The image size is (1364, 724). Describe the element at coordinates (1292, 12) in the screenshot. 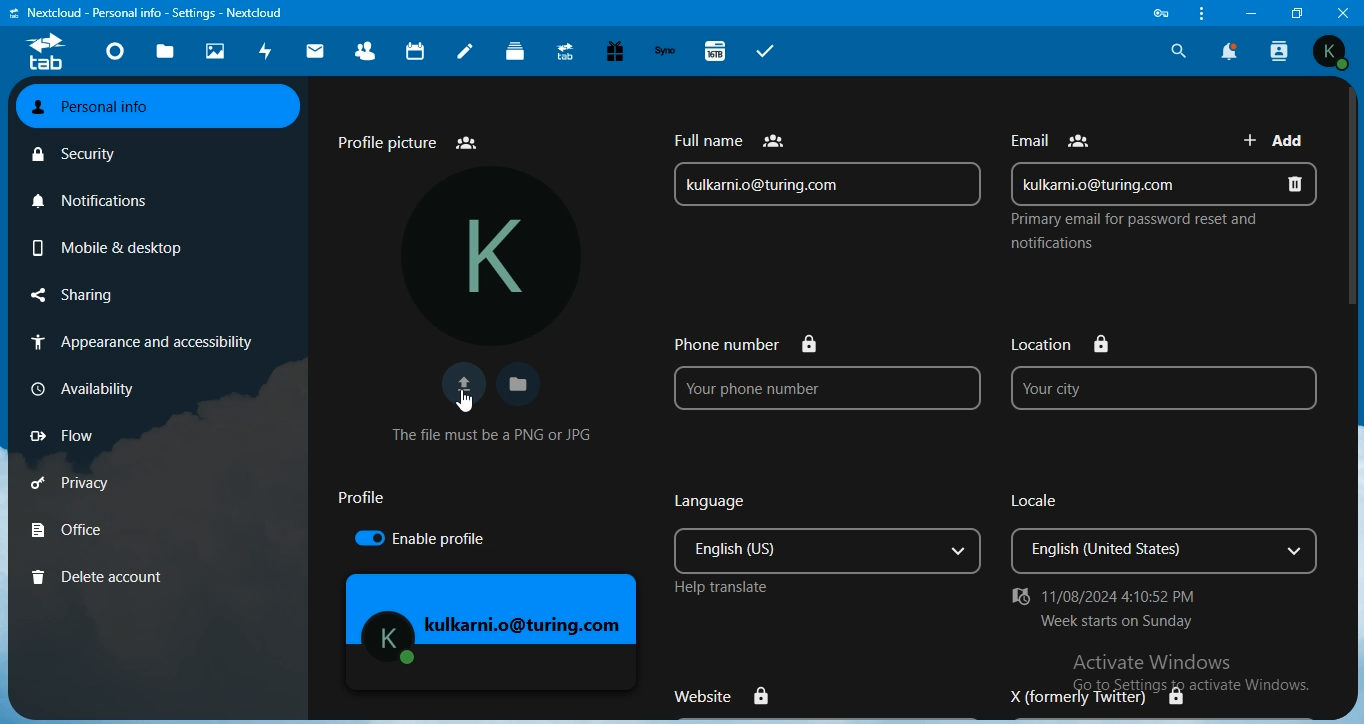

I see `restore window` at that location.